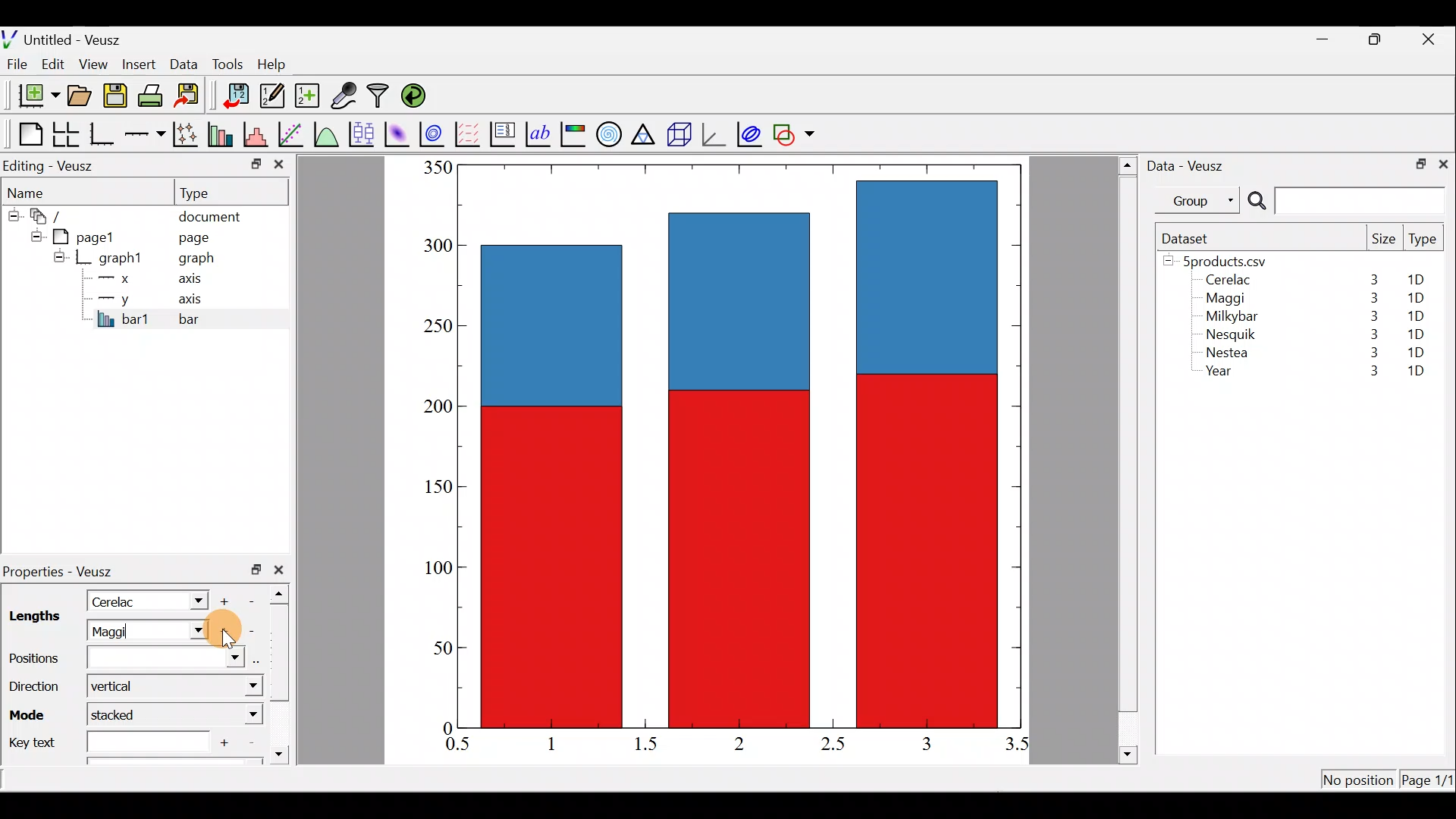  Describe the element at coordinates (1191, 238) in the screenshot. I see `Dataset` at that location.